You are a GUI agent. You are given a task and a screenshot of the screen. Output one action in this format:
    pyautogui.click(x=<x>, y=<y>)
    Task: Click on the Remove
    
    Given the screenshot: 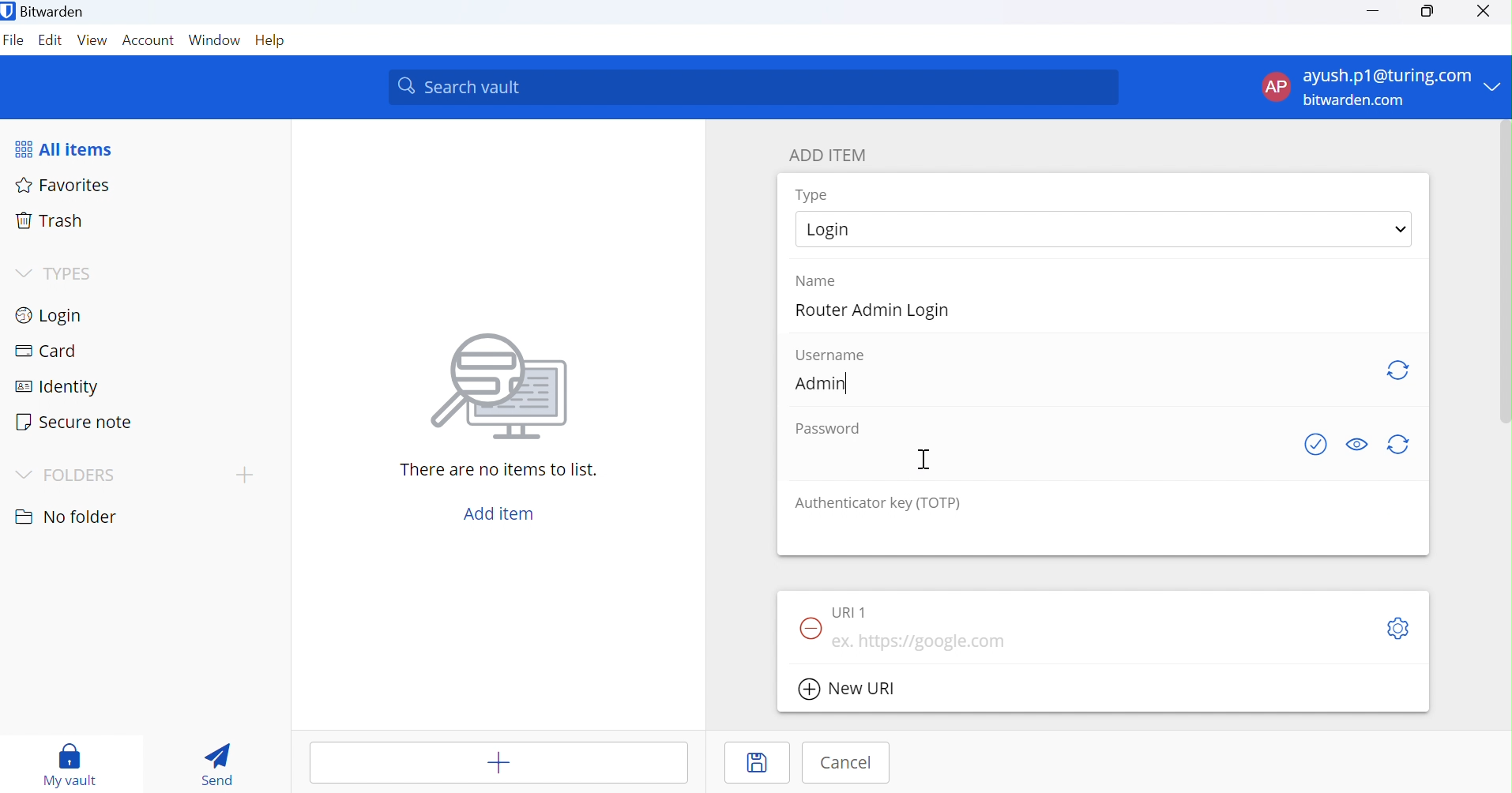 What is the action you would take?
    pyautogui.click(x=810, y=630)
    